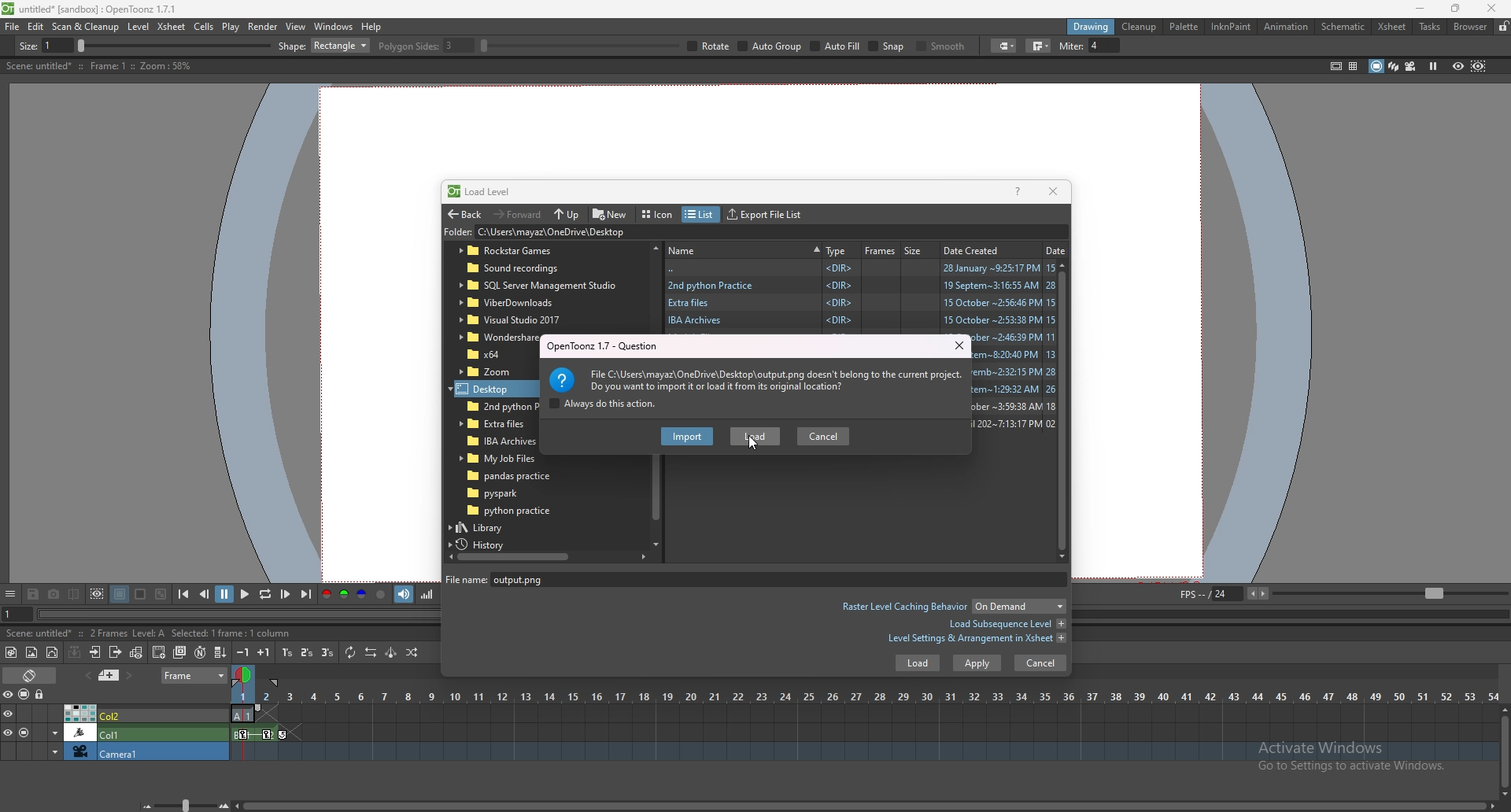 The height and width of the screenshot is (812, 1511). What do you see at coordinates (183, 594) in the screenshot?
I see `first frame` at bounding box center [183, 594].